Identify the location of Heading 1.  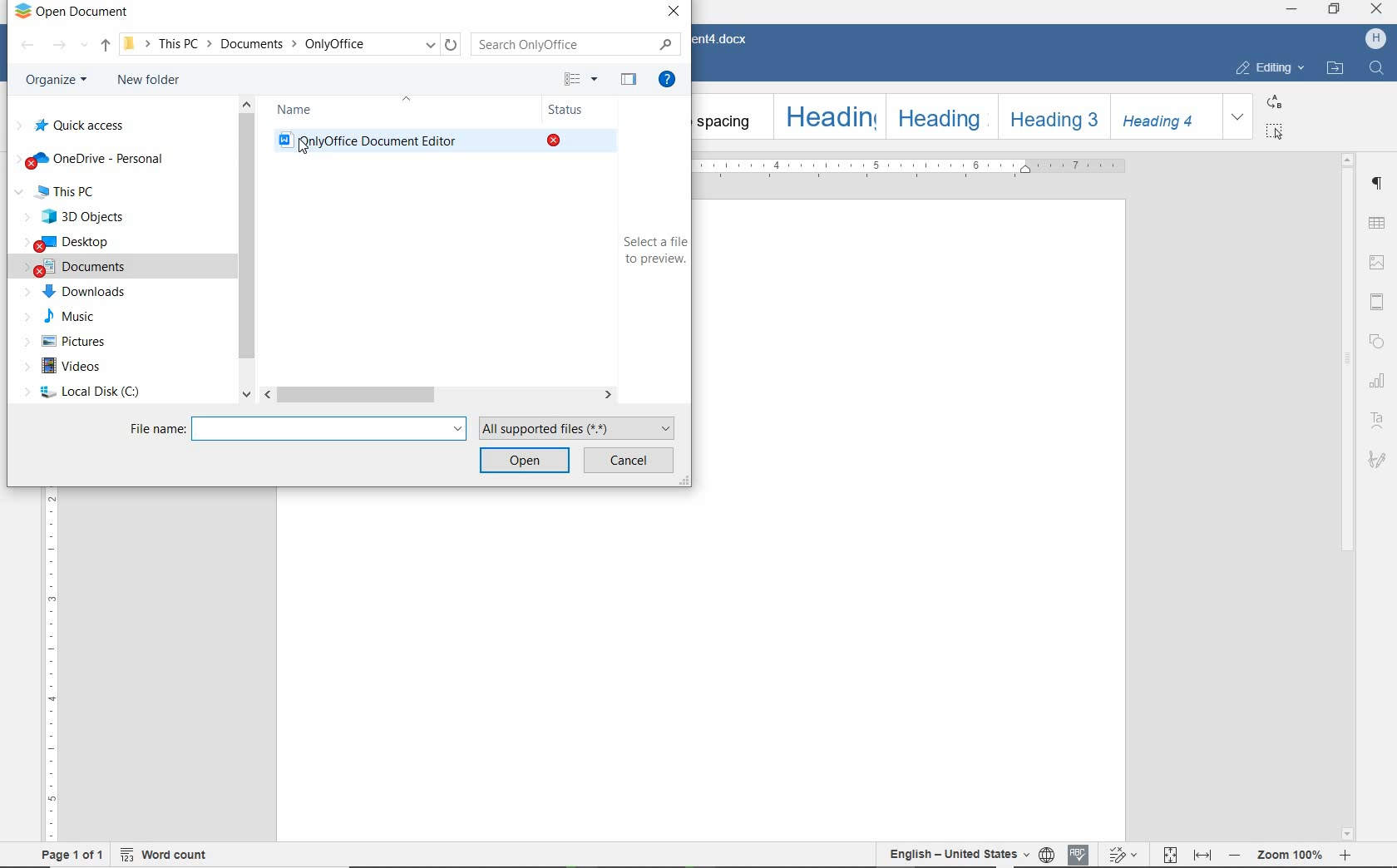
(829, 116).